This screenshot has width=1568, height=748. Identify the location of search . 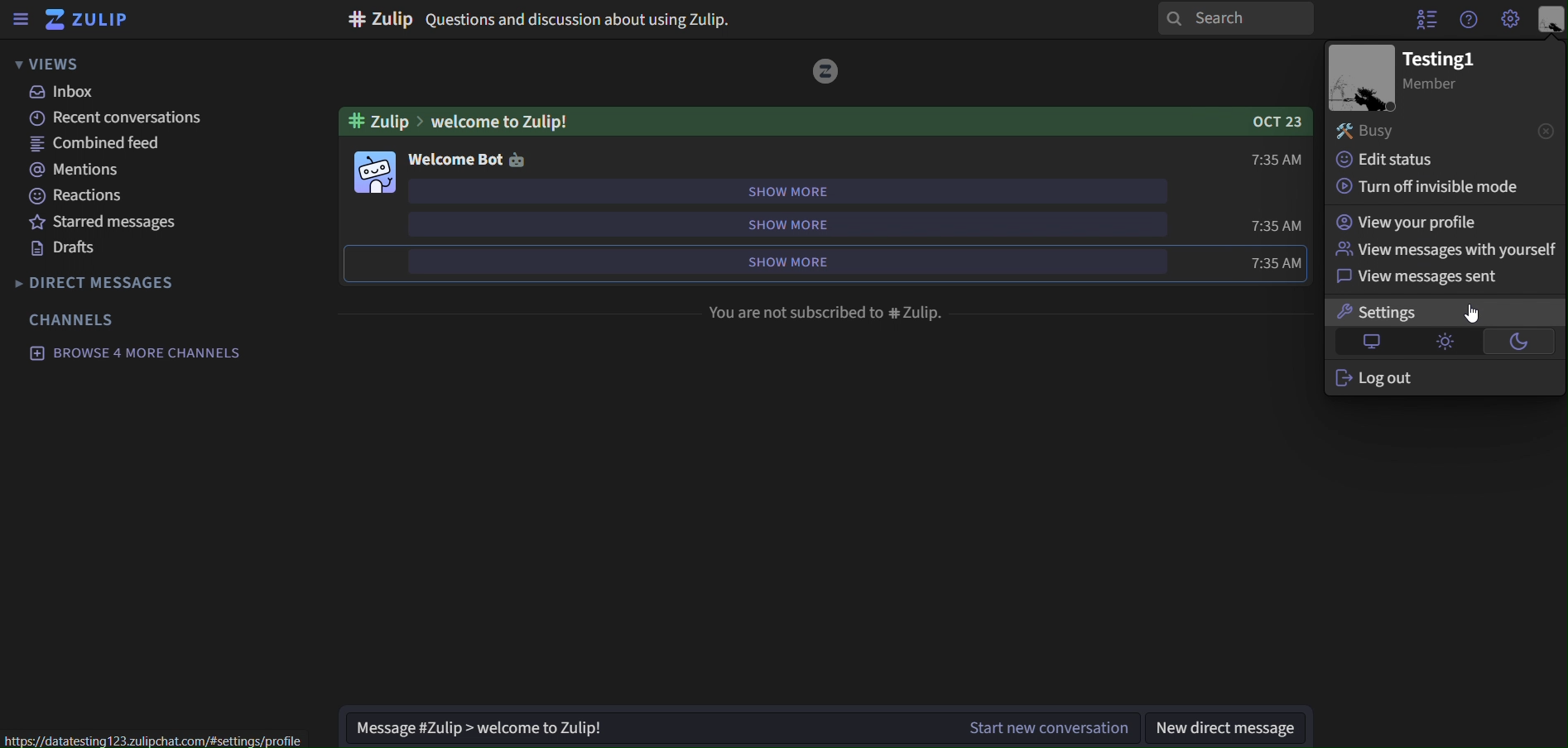
(1233, 18).